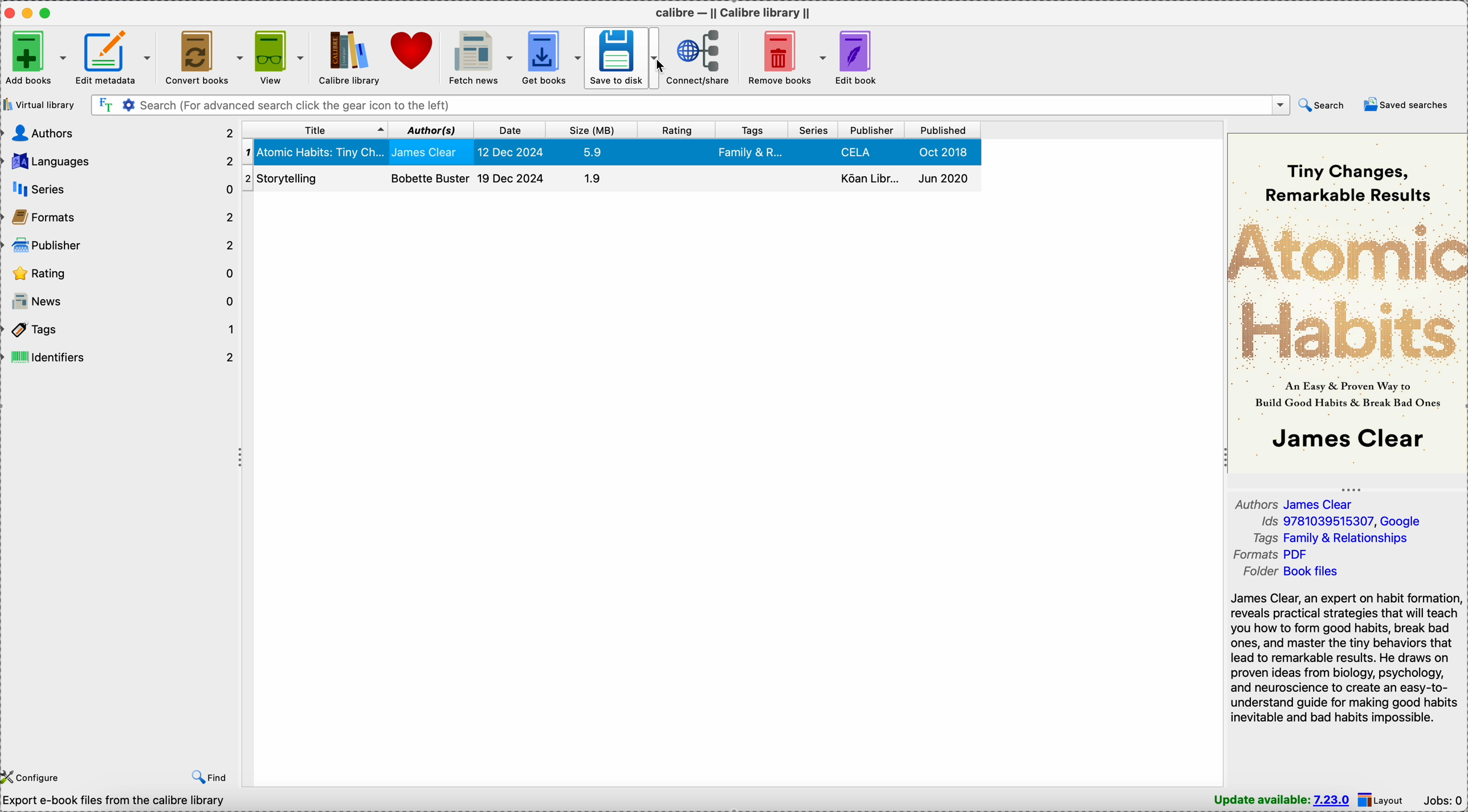 This screenshot has width=1468, height=812. I want to click on view, so click(278, 56).